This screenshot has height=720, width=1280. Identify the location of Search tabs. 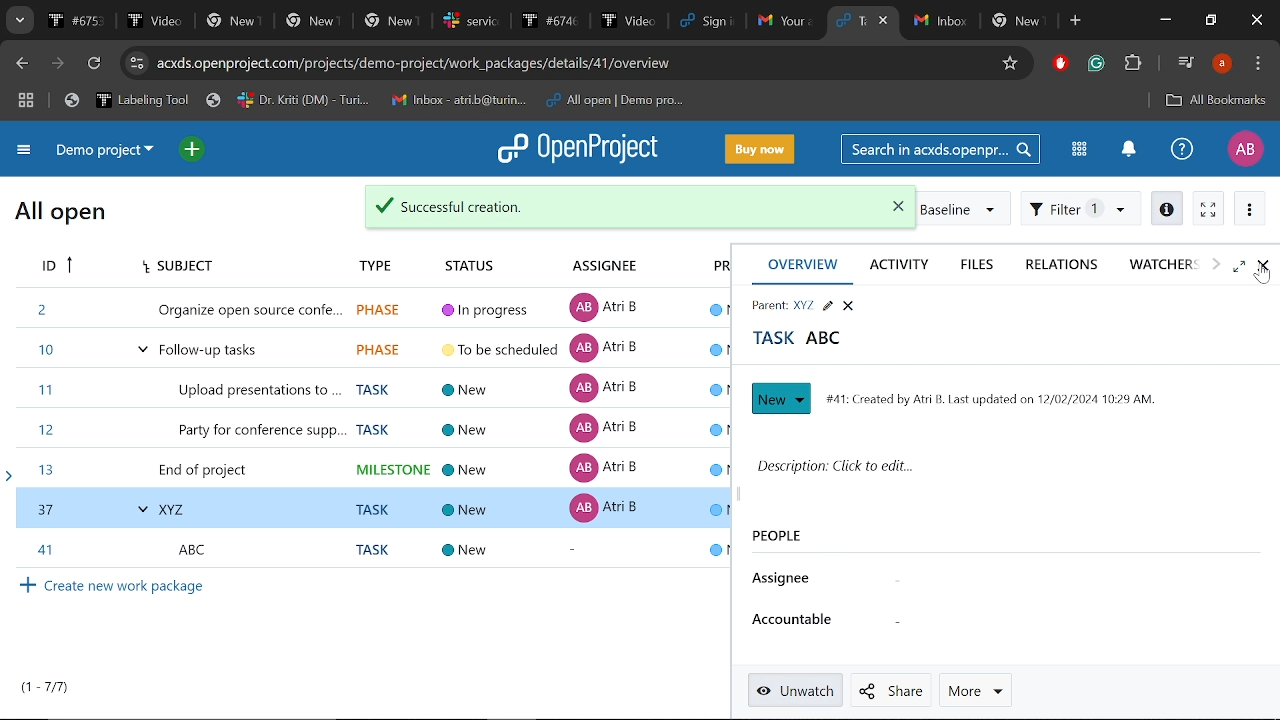
(850, 20).